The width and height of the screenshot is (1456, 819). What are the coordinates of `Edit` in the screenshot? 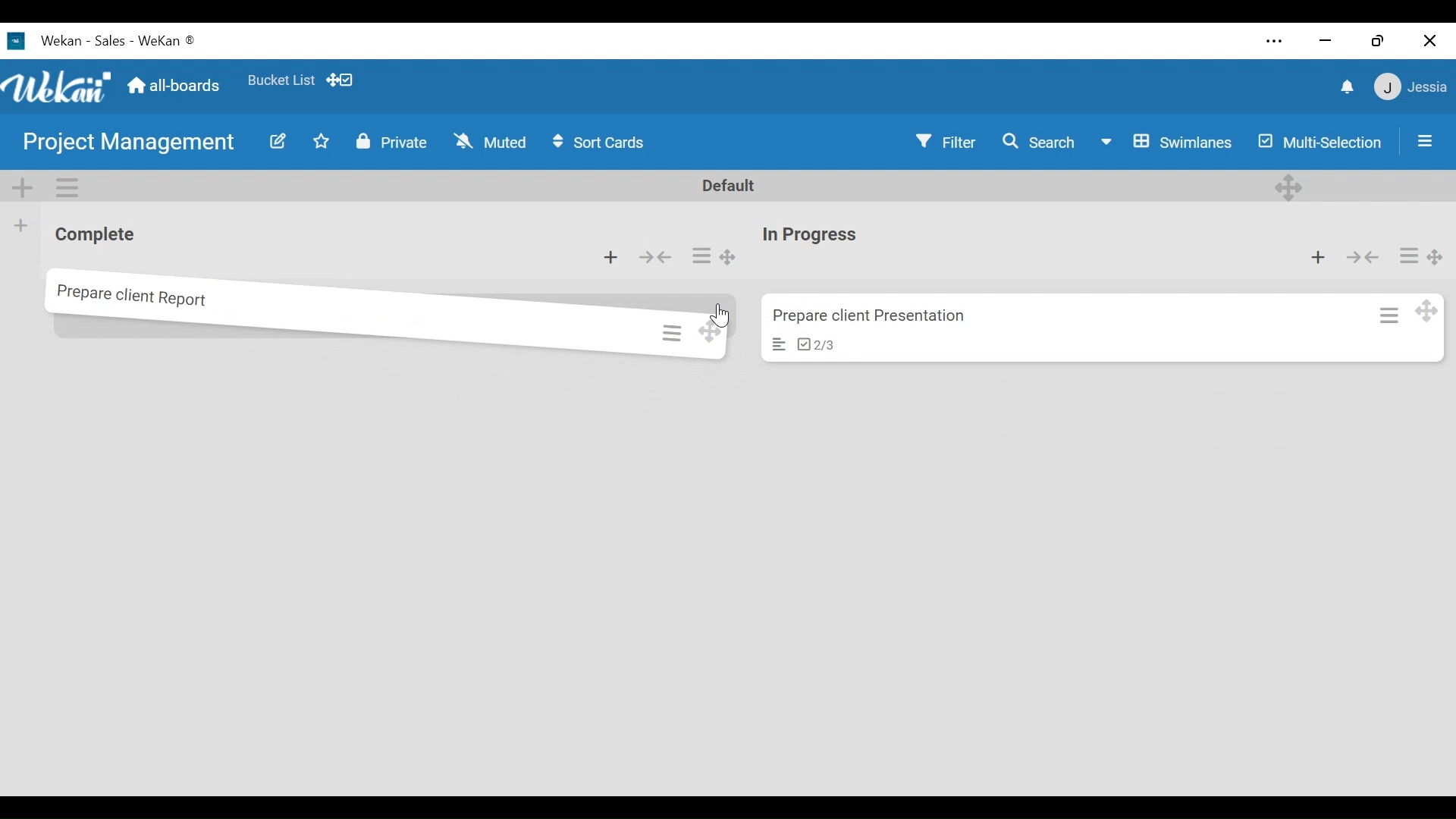 It's located at (279, 141).